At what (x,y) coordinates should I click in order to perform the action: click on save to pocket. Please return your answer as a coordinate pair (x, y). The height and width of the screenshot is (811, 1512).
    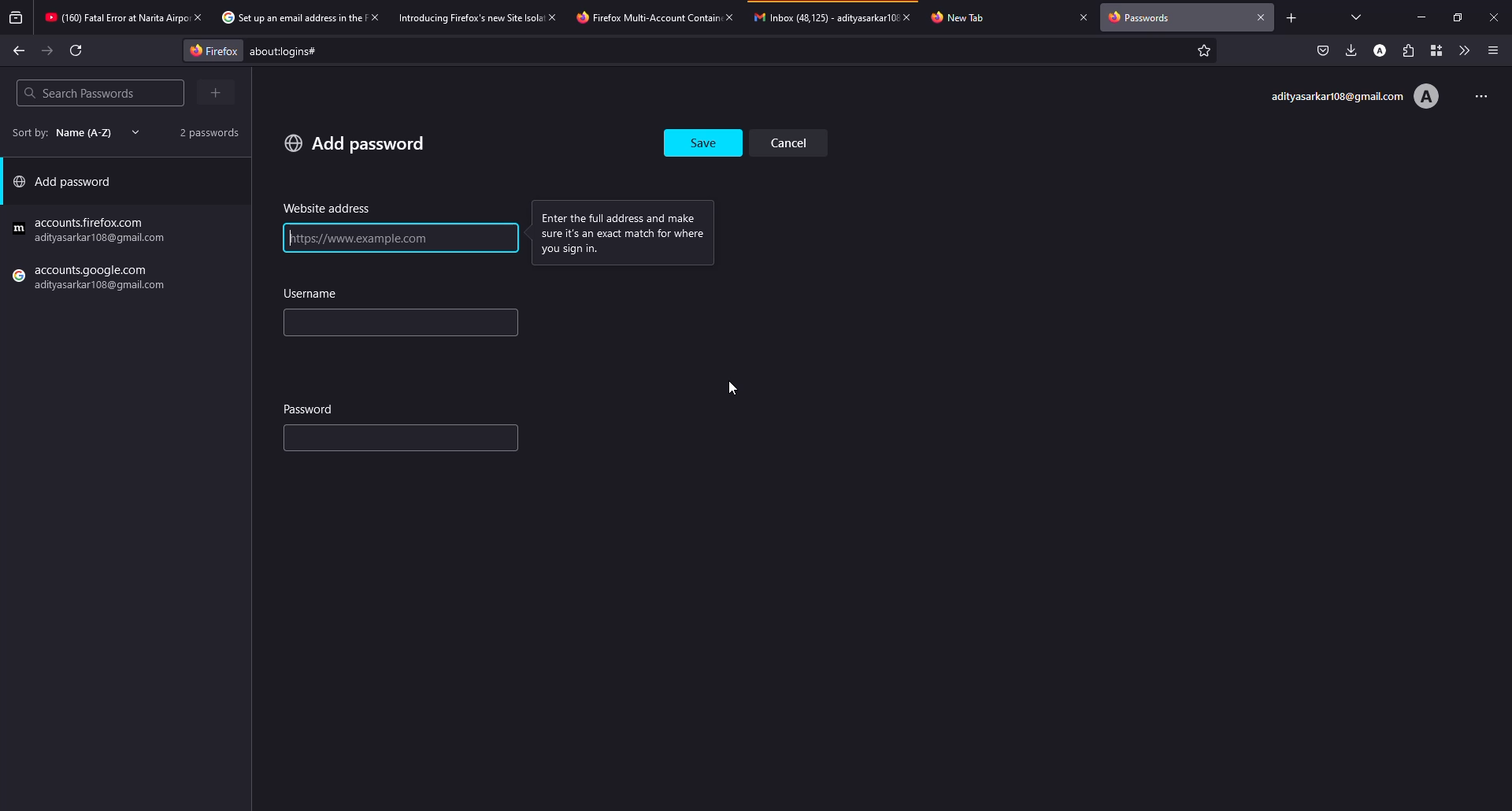
    Looking at the image, I should click on (1323, 50).